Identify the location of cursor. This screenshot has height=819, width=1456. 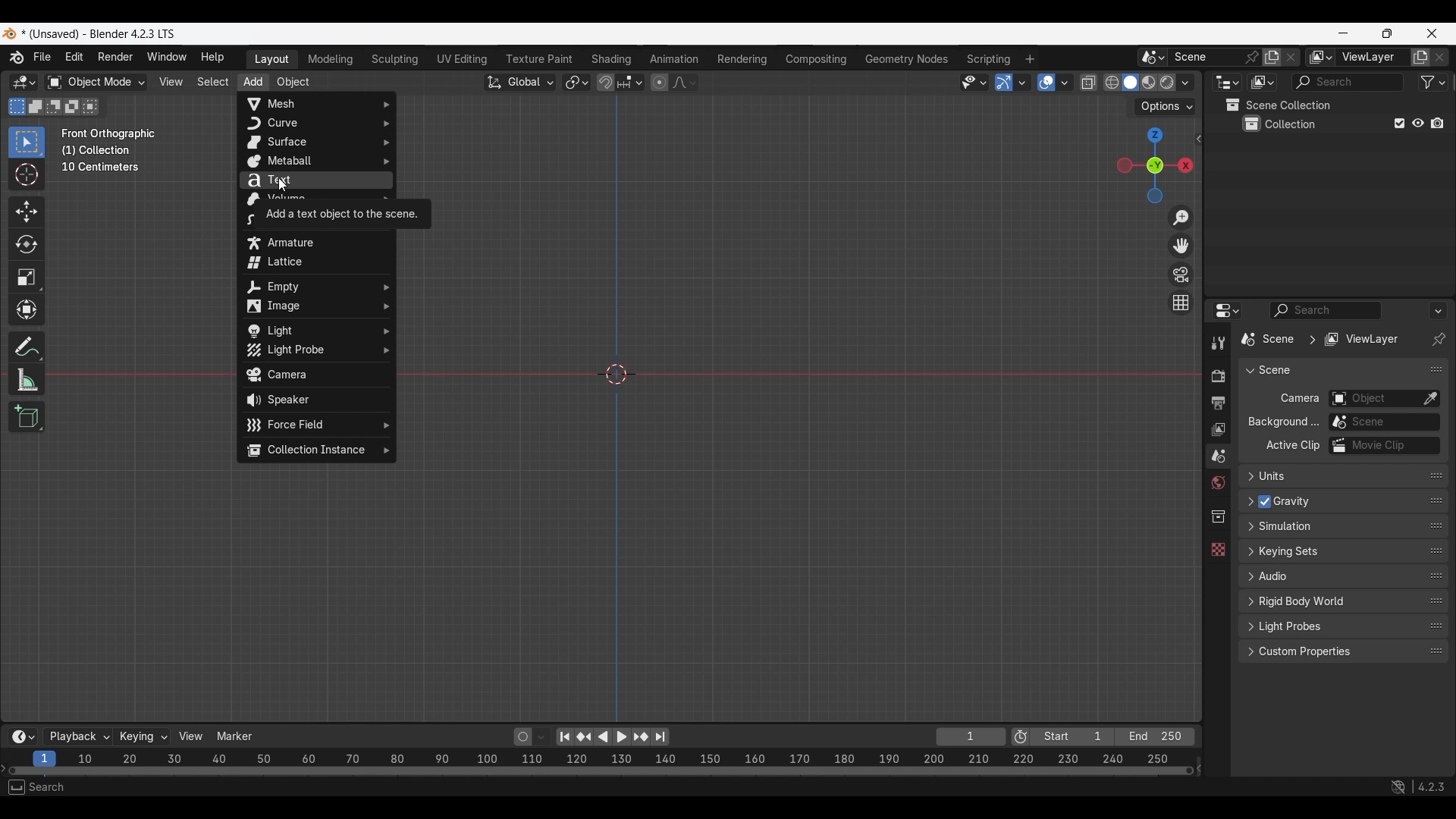
(284, 186).